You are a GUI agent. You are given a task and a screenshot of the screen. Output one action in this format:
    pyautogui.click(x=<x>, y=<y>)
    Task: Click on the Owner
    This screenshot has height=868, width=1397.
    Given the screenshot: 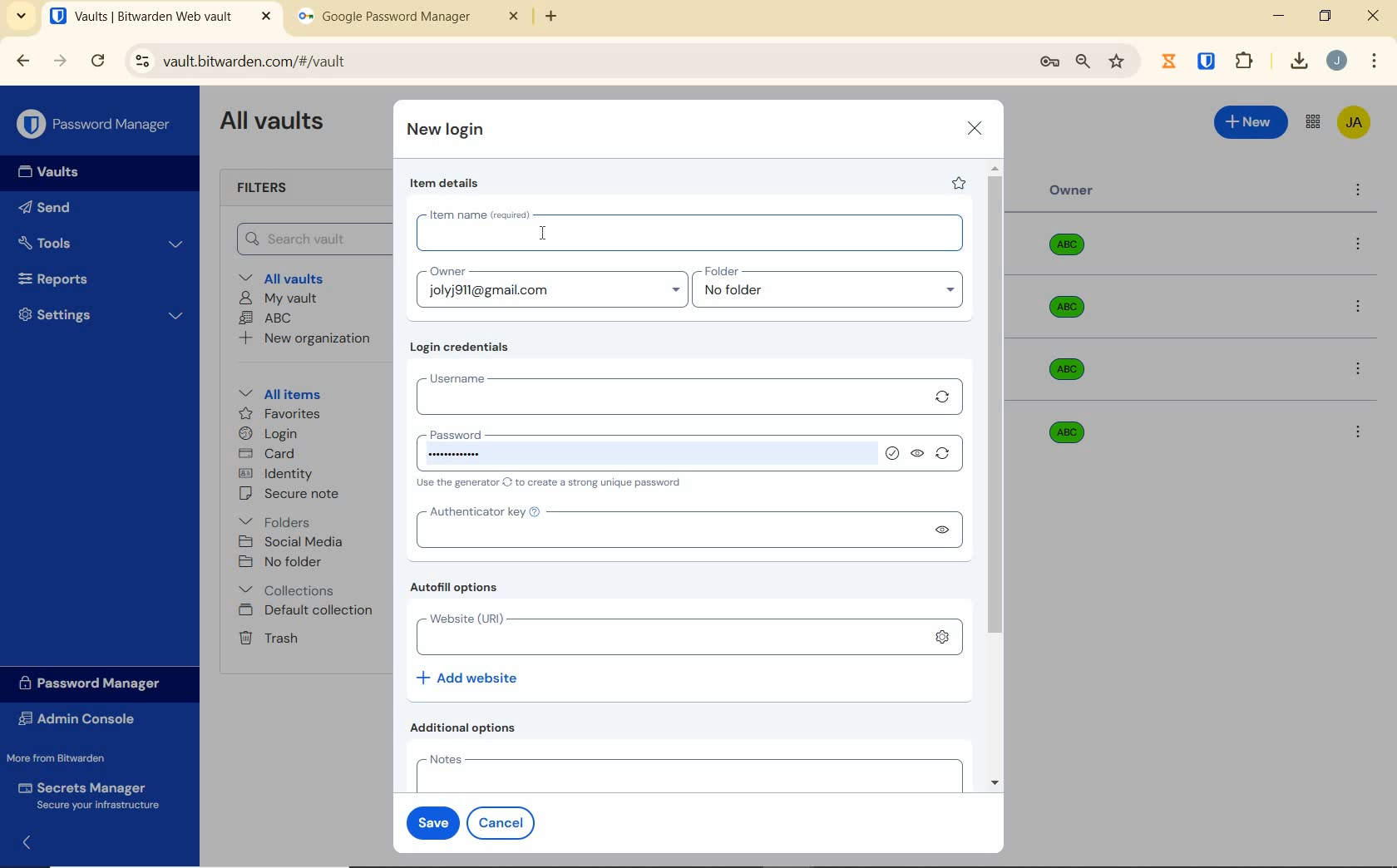 What is the action you would take?
    pyautogui.click(x=1072, y=190)
    